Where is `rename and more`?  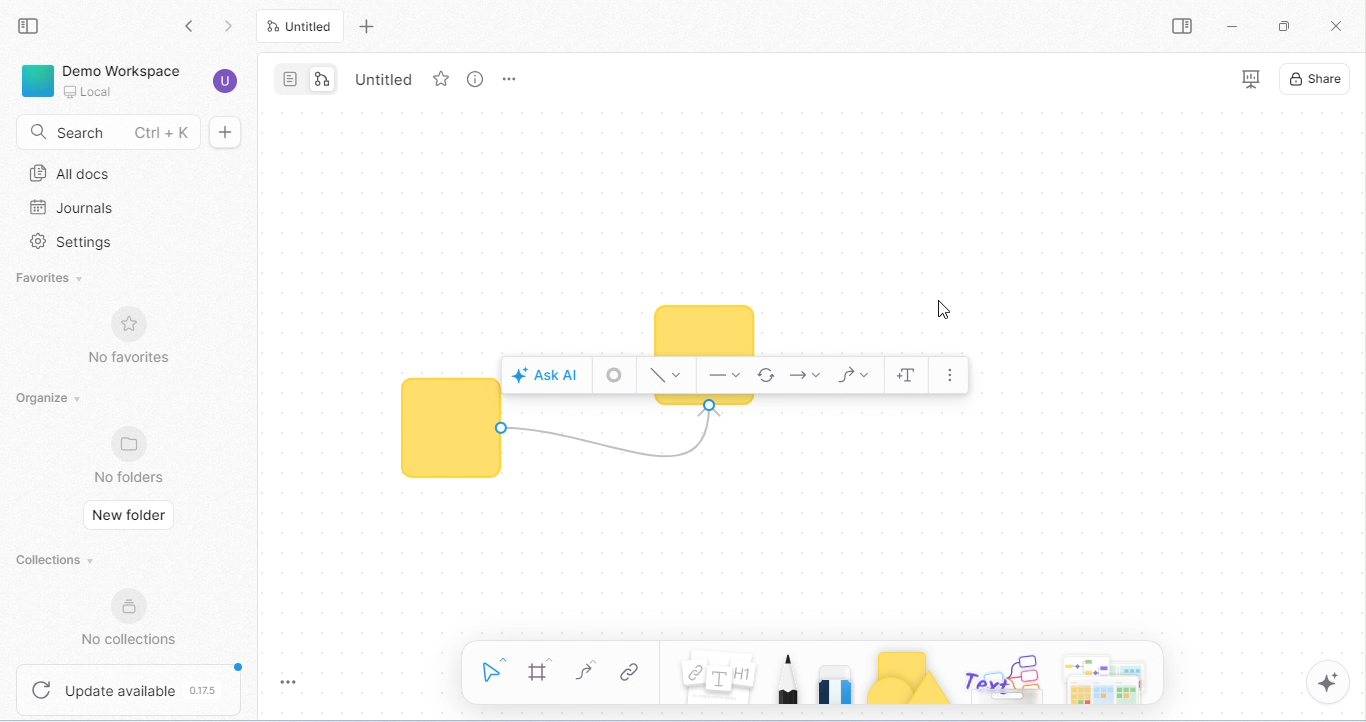
rename and more is located at coordinates (508, 78).